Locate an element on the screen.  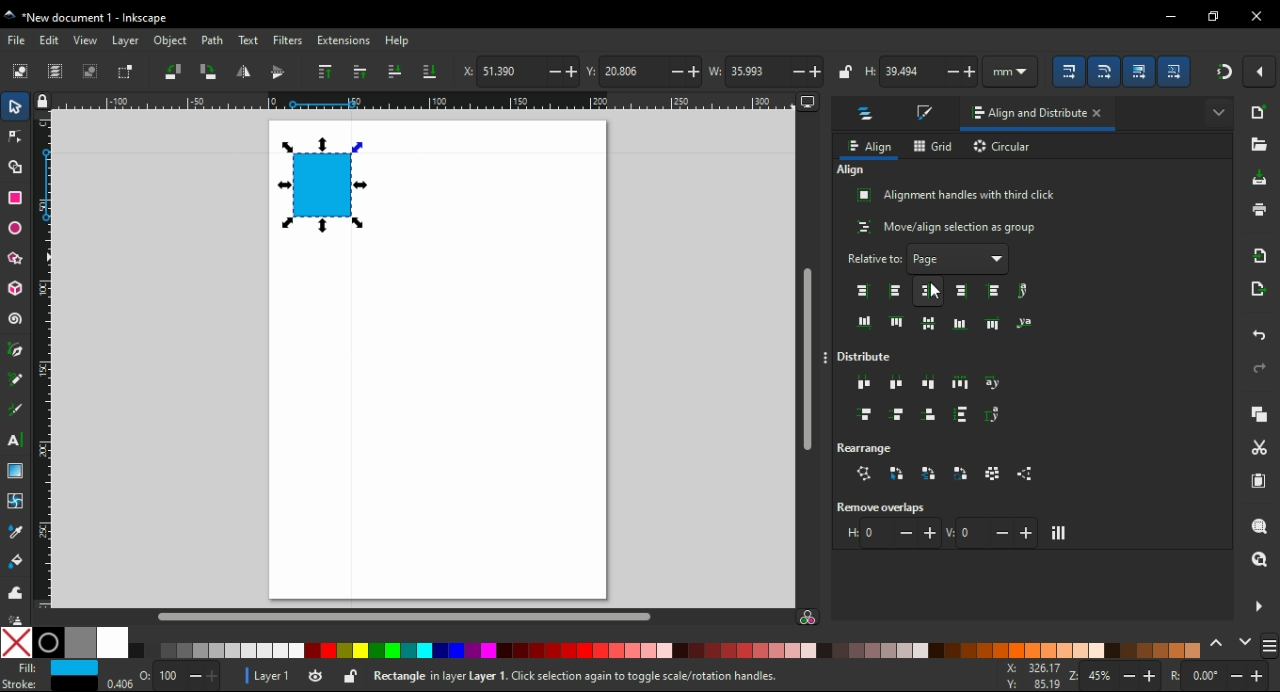
3D box tool is located at coordinates (14, 288).